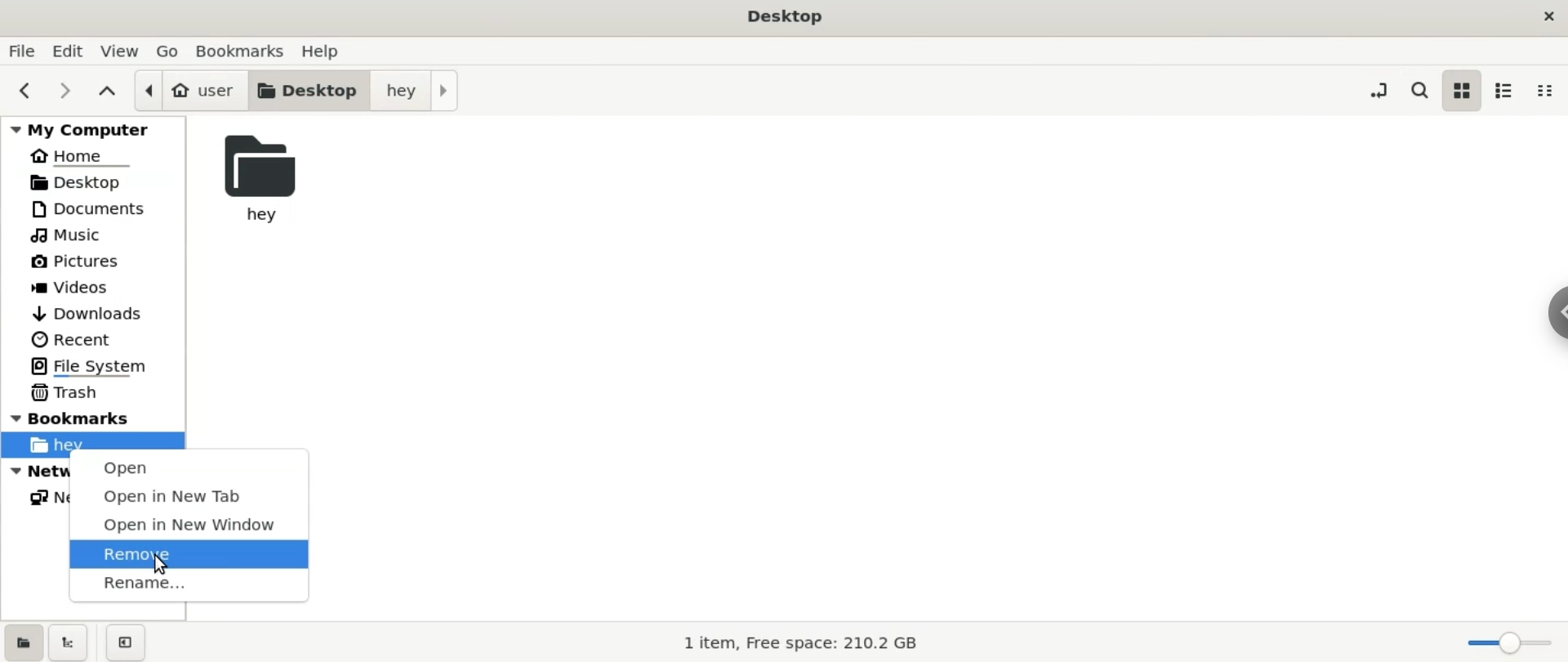 This screenshot has height=662, width=1568. What do you see at coordinates (163, 566) in the screenshot?
I see `cursor` at bounding box center [163, 566].